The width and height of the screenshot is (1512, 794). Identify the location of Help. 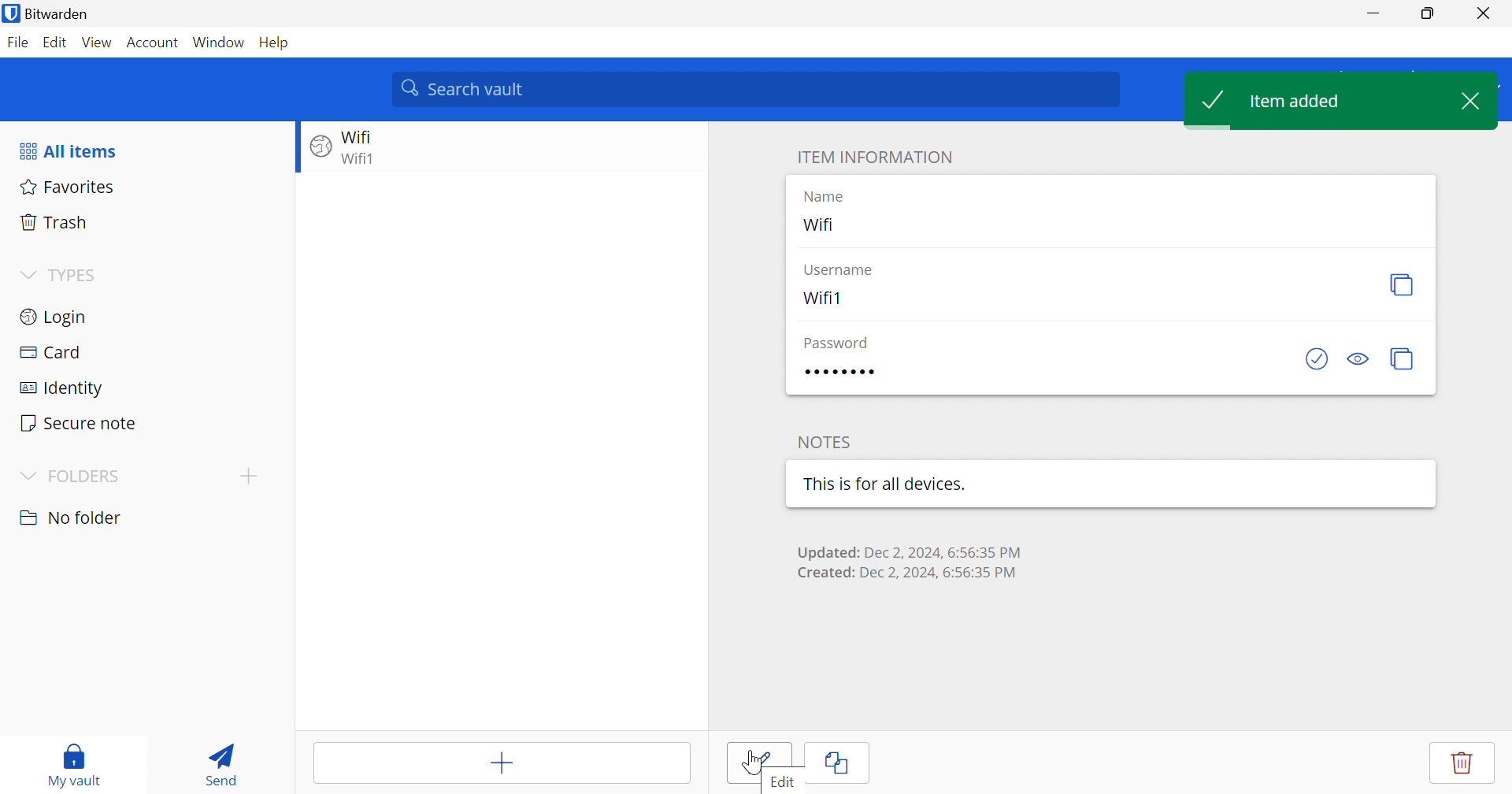
(278, 42).